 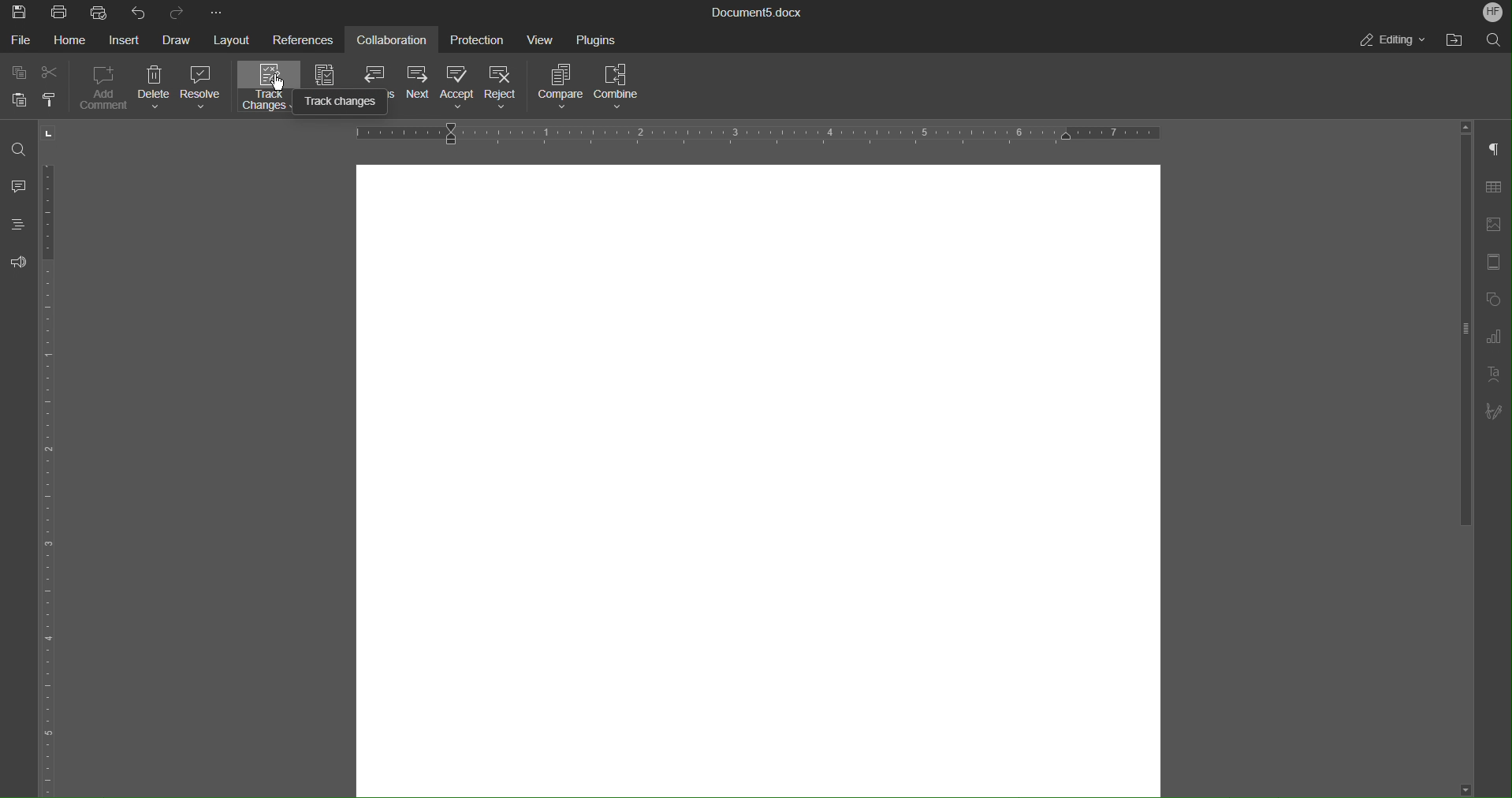 What do you see at coordinates (1387, 40) in the screenshot?
I see `Editing` at bounding box center [1387, 40].